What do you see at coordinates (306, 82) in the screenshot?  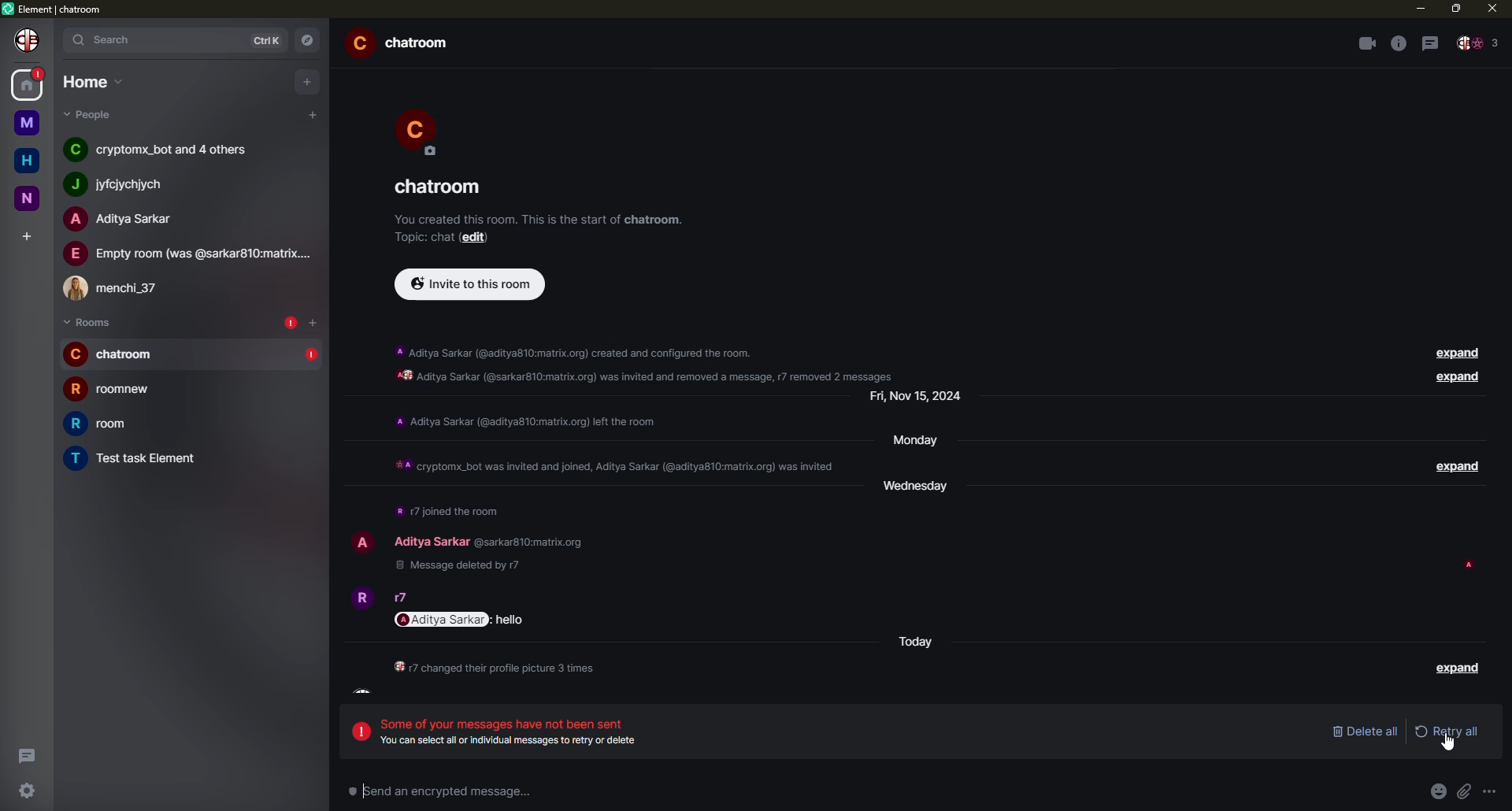 I see `add` at bounding box center [306, 82].